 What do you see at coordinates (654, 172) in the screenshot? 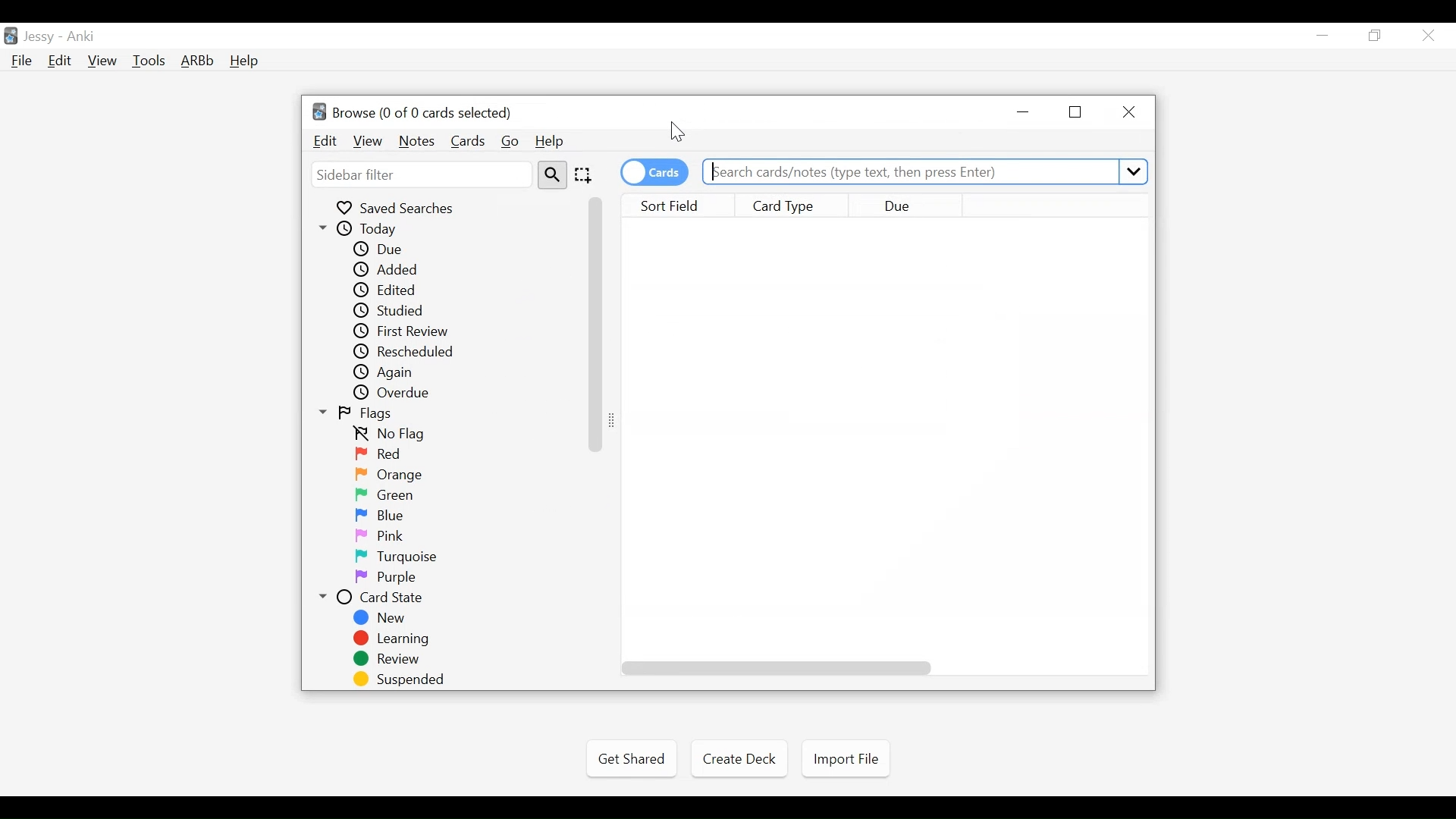
I see `Toggle Cards/Notes` at bounding box center [654, 172].